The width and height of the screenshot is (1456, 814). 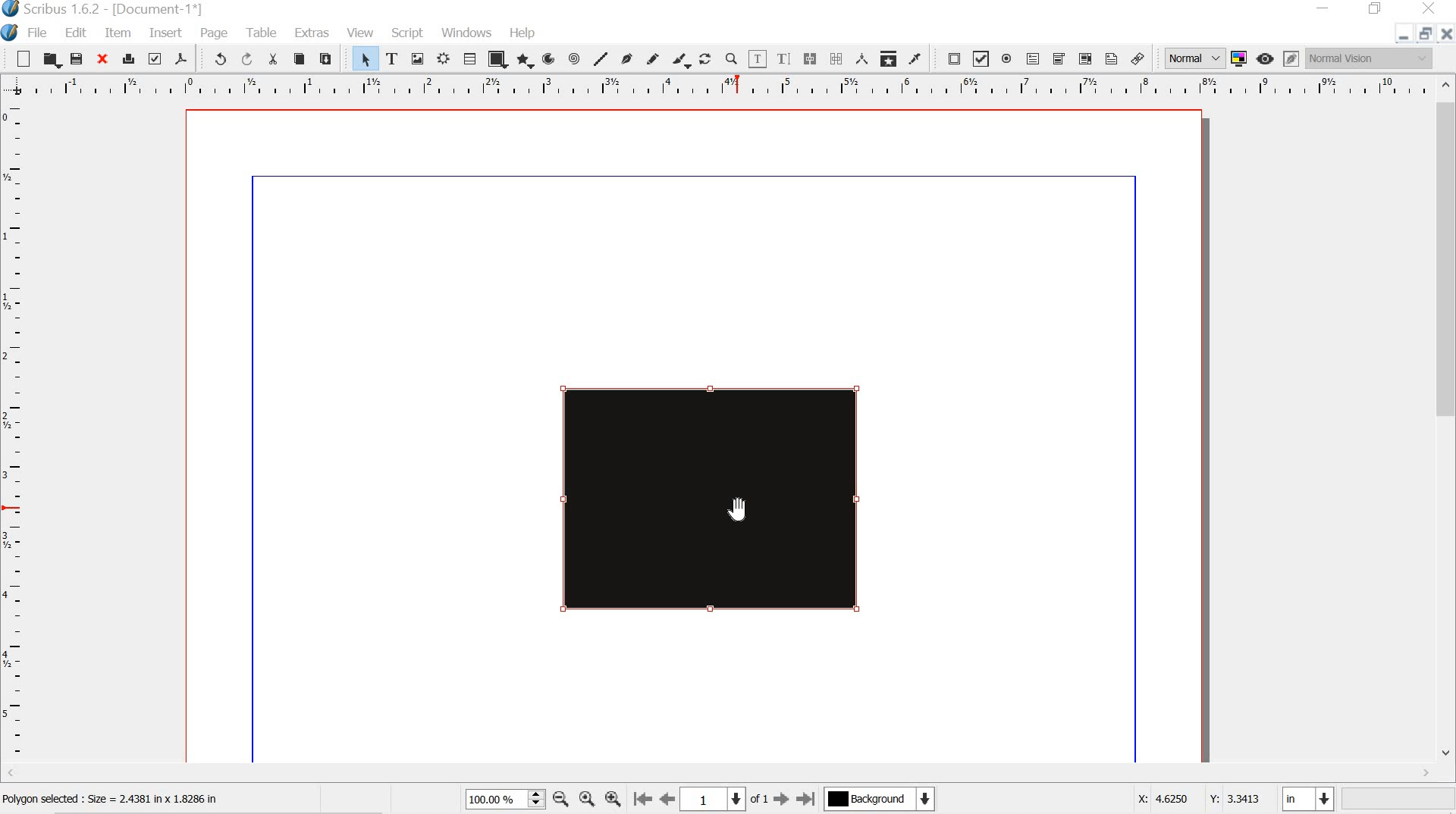 I want to click on bezier curve, so click(x=628, y=58).